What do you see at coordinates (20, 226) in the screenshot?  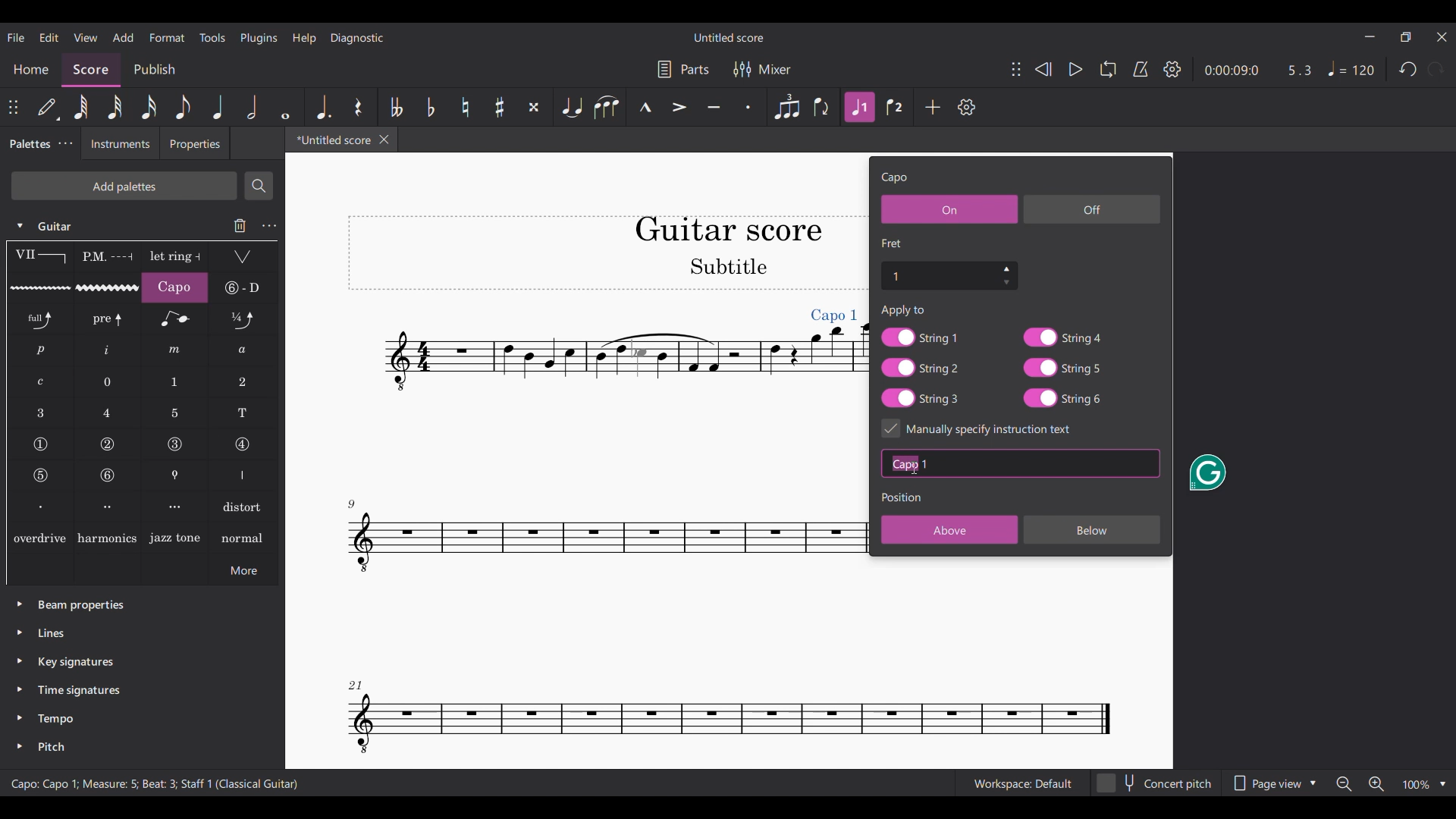 I see `Click to collapse ` at bounding box center [20, 226].